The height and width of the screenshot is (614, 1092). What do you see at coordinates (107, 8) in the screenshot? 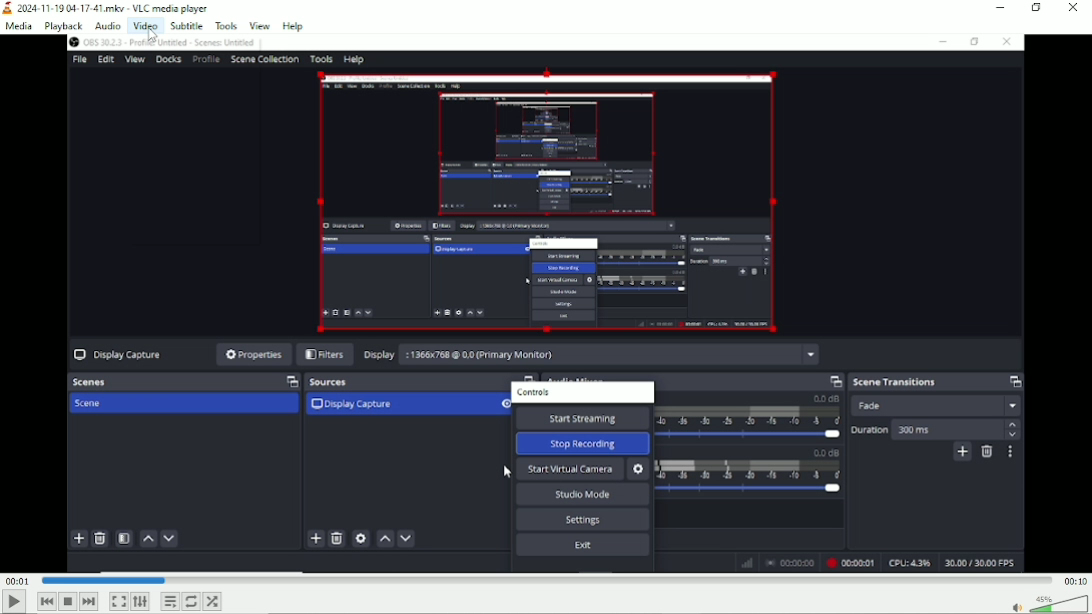
I see `title` at bounding box center [107, 8].